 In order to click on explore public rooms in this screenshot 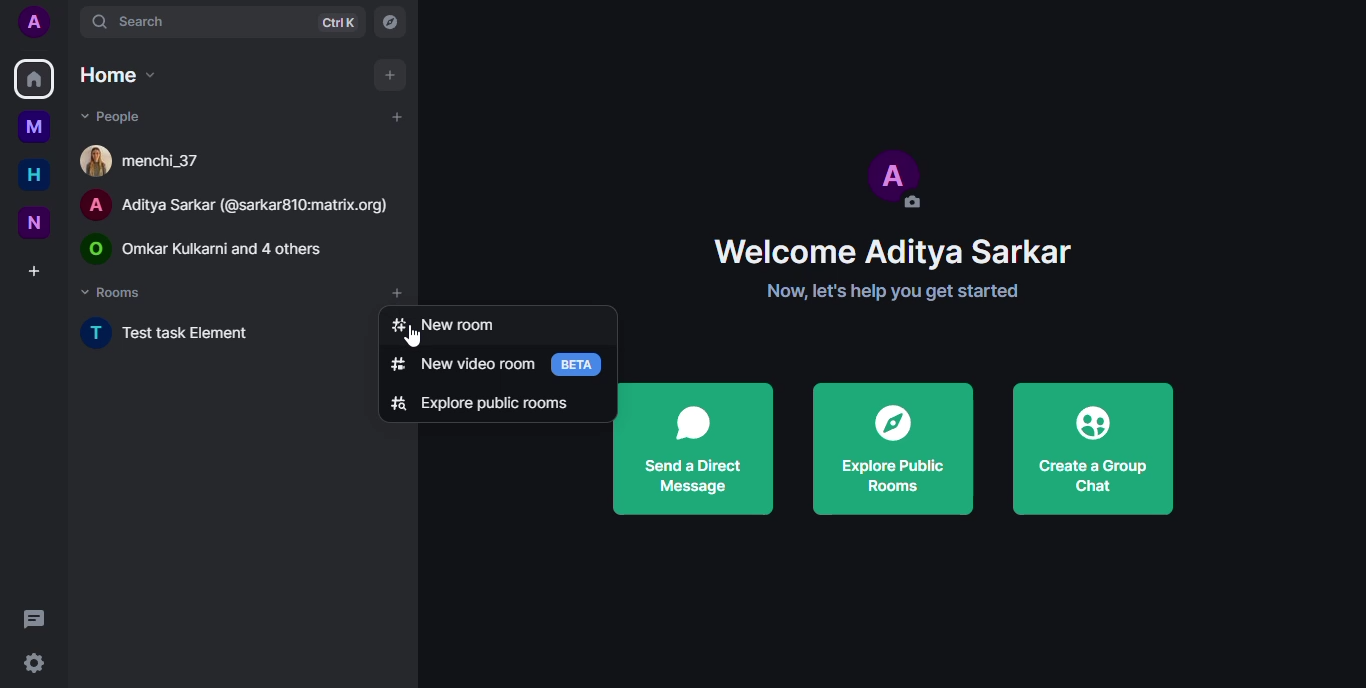, I will do `click(894, 450)`.